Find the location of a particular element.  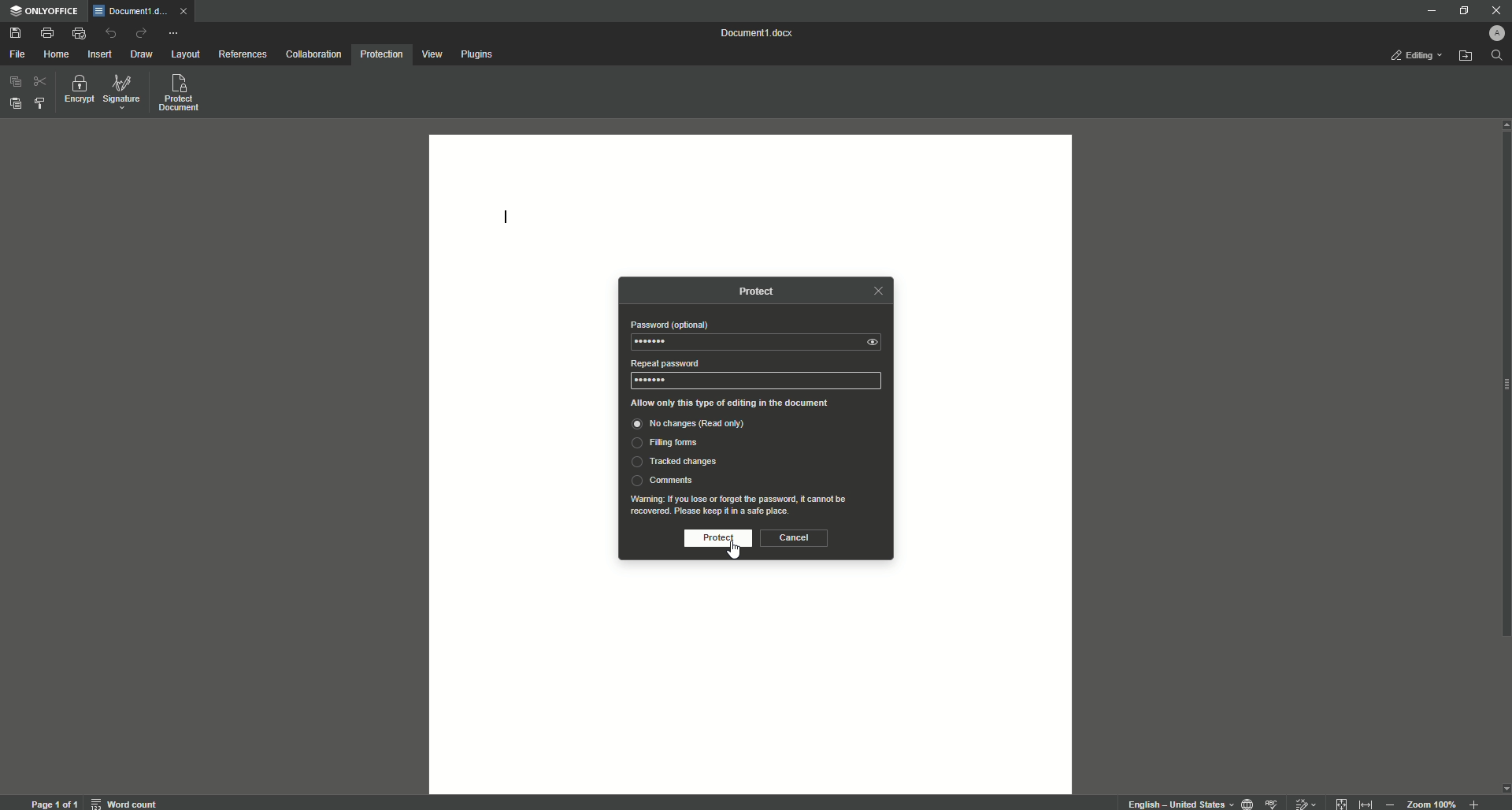

Document 1 is located at coordinates (760, 33).